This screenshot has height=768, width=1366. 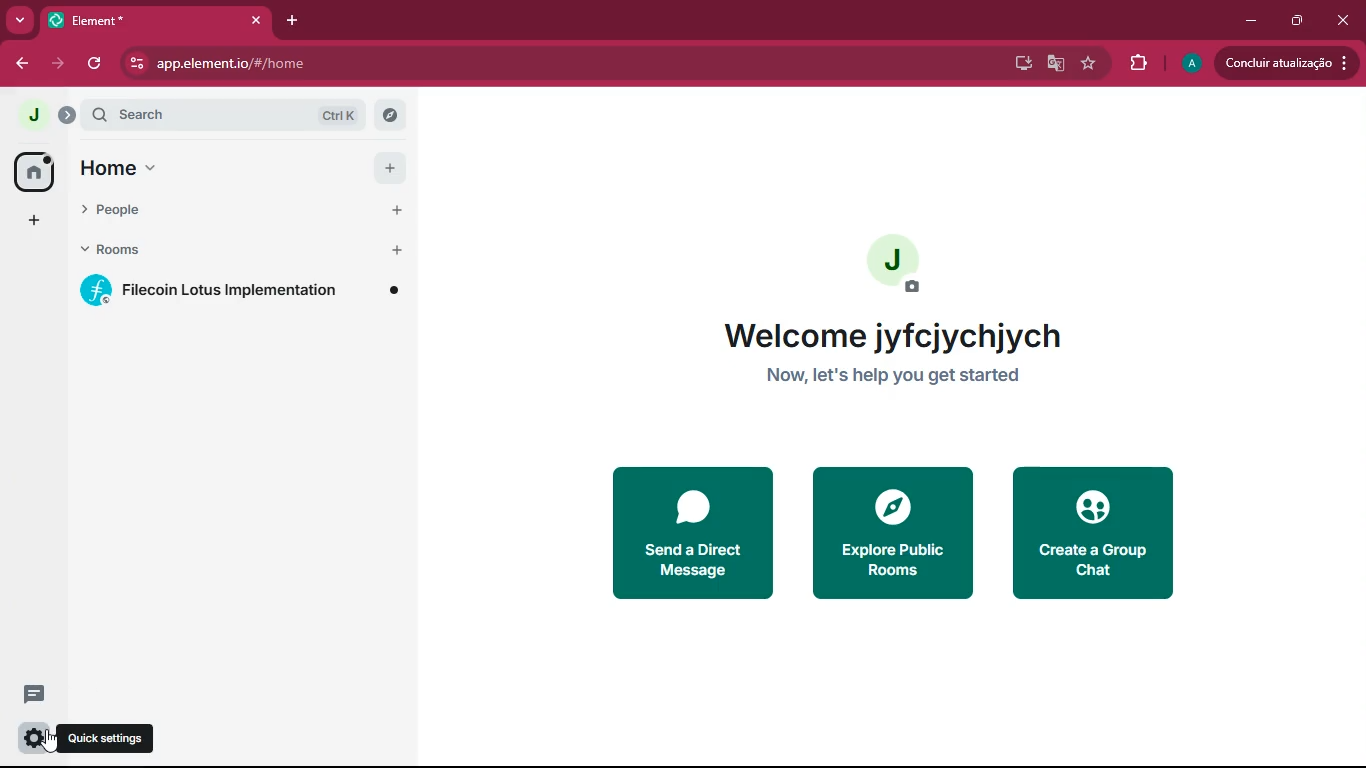 What do you see at coordinates (61, 64) in the screenshot?
I see `forward` at bounding box center [61, 64].